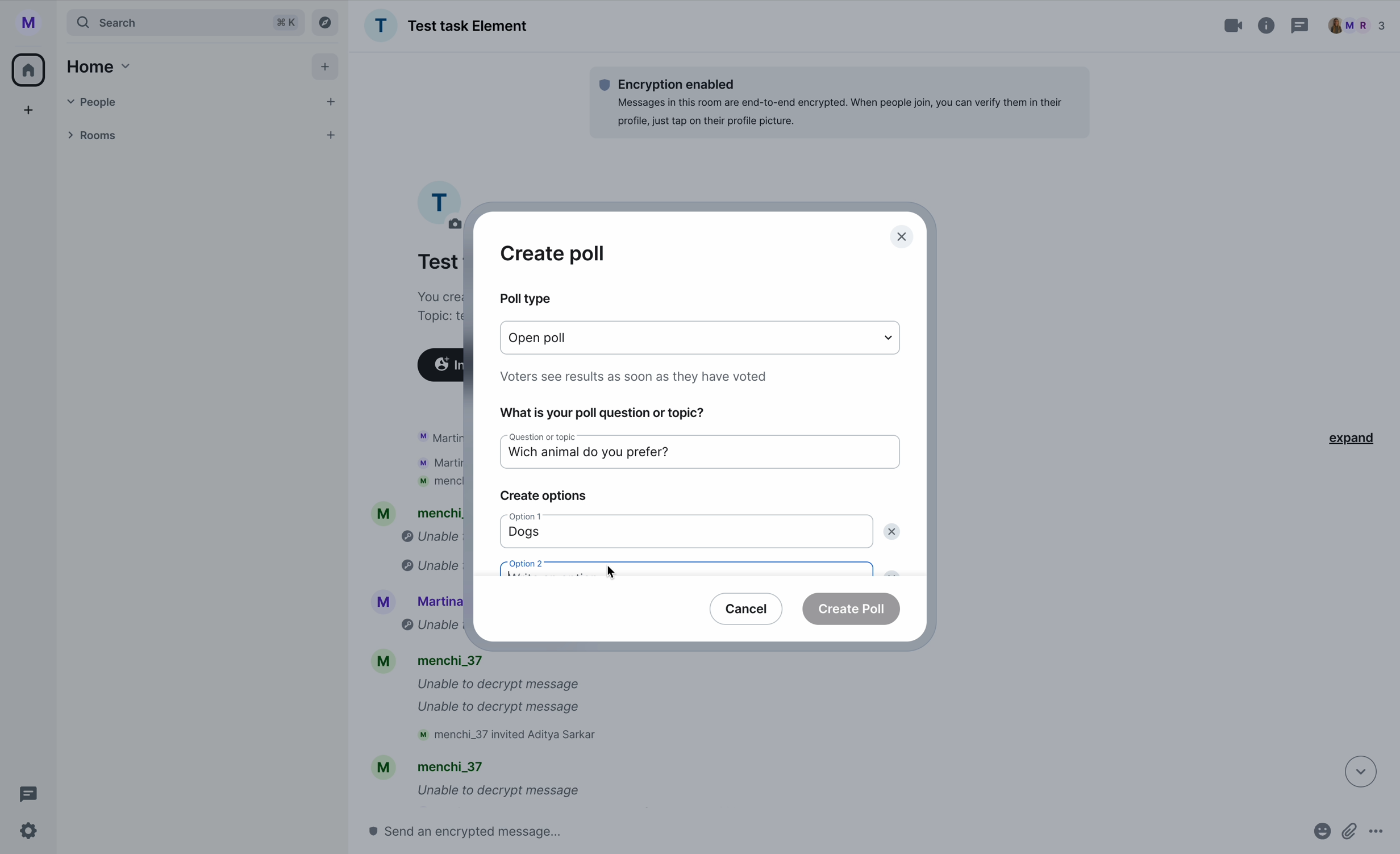  Describe the element at coordinates (446, 26) in the screenshot. I see `Test task Element` at that location.